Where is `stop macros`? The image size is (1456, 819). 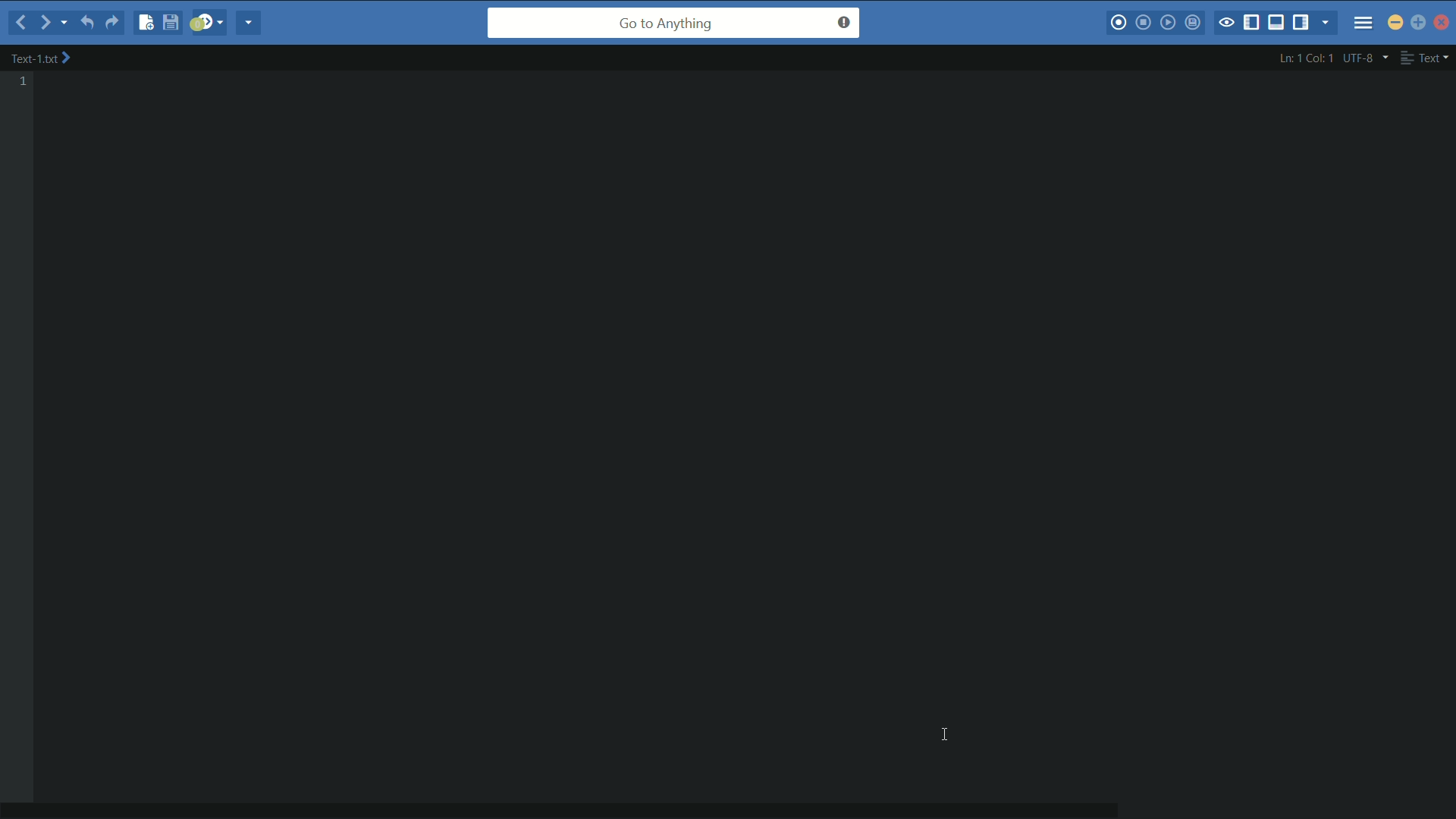
stop macros is located at coordinates (1144, 24).